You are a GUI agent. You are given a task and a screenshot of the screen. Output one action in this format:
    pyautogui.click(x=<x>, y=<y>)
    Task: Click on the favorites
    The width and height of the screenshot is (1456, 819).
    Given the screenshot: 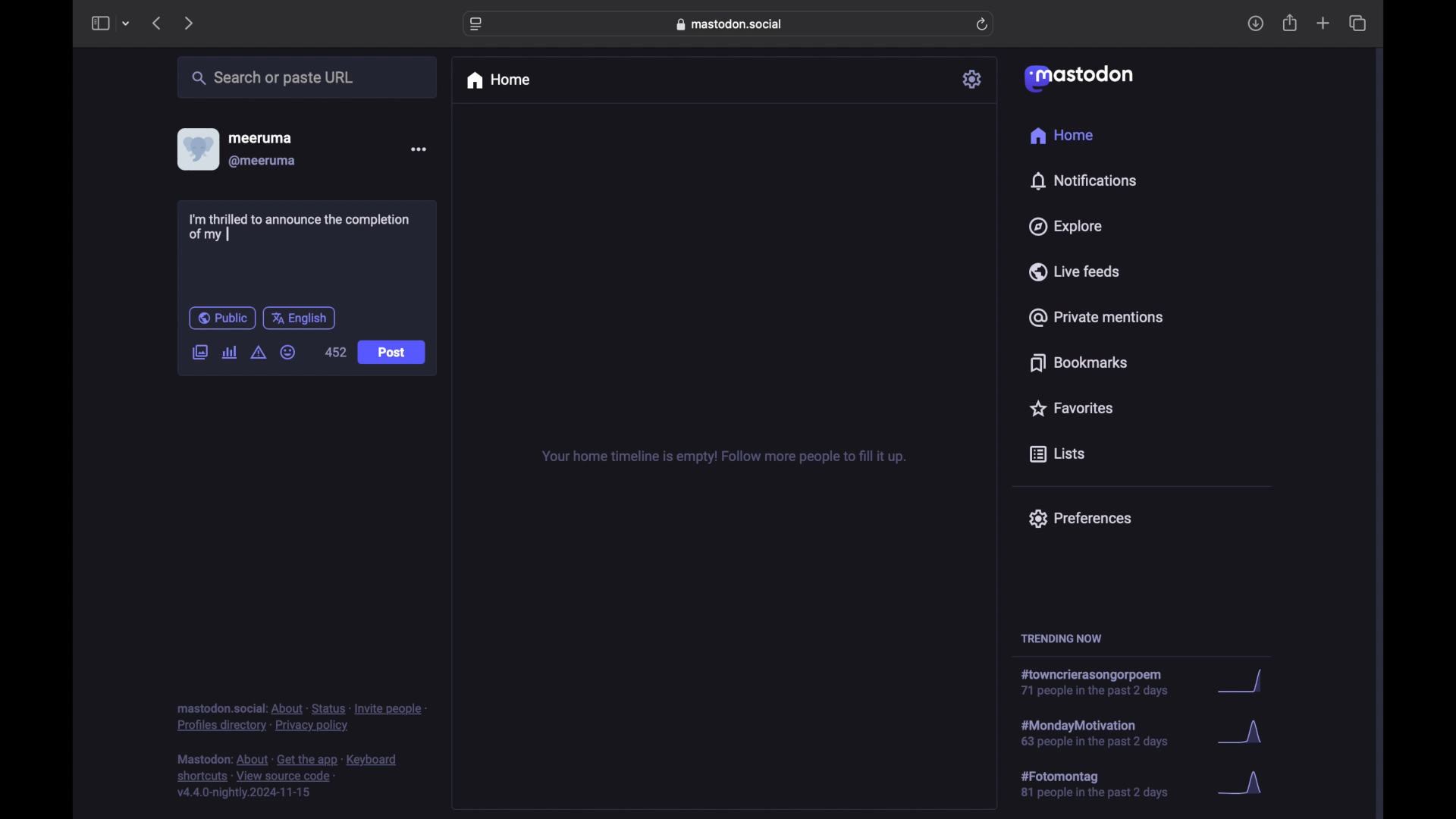 What is the action you would take?
    pyautogui.click(x=1071, y=408)
    